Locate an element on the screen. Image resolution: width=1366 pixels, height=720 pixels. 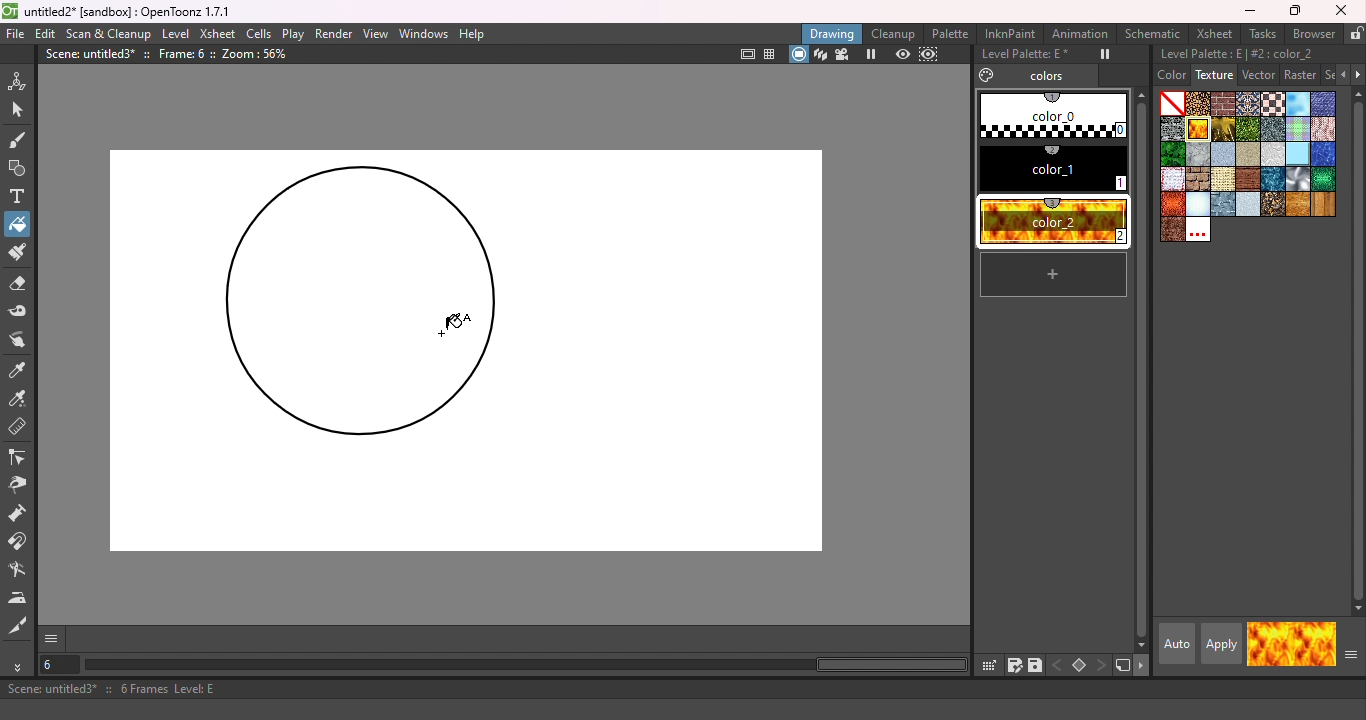
roughparquet.bmp is located at coordinates (1249, 180).